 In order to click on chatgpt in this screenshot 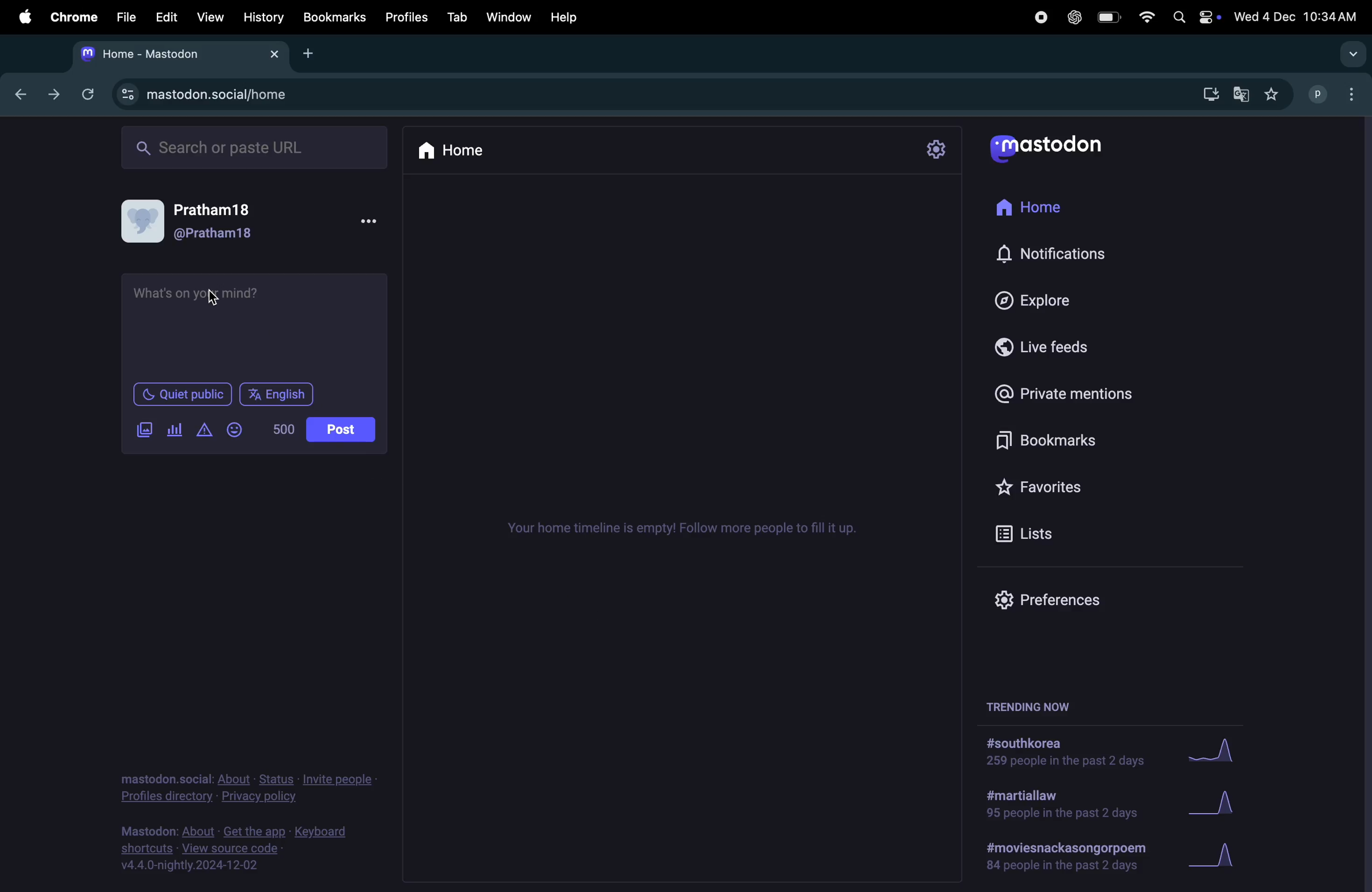, I will do `click(1071, 19)`.